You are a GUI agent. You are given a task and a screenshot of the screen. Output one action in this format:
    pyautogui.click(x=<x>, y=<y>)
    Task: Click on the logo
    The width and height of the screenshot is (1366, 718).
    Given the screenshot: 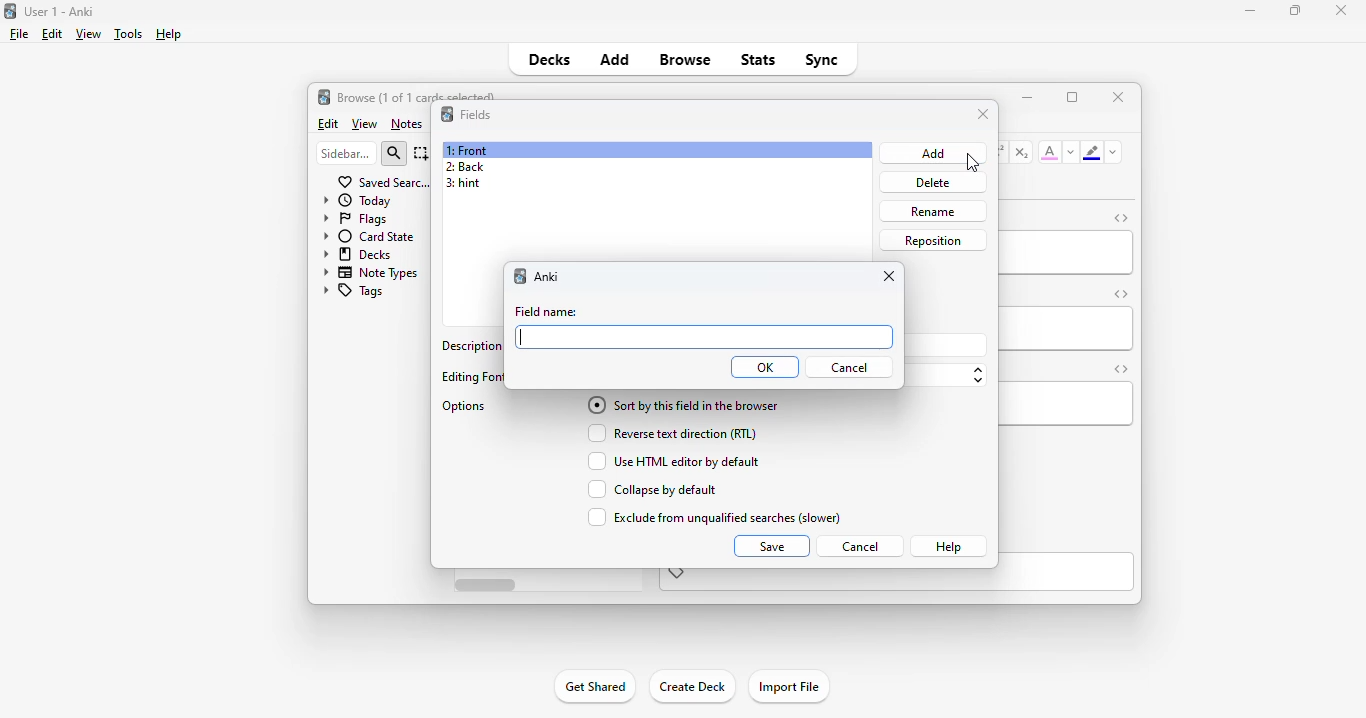 What is the action you would take?
    pyautogui.click(x=9, y=10)
    